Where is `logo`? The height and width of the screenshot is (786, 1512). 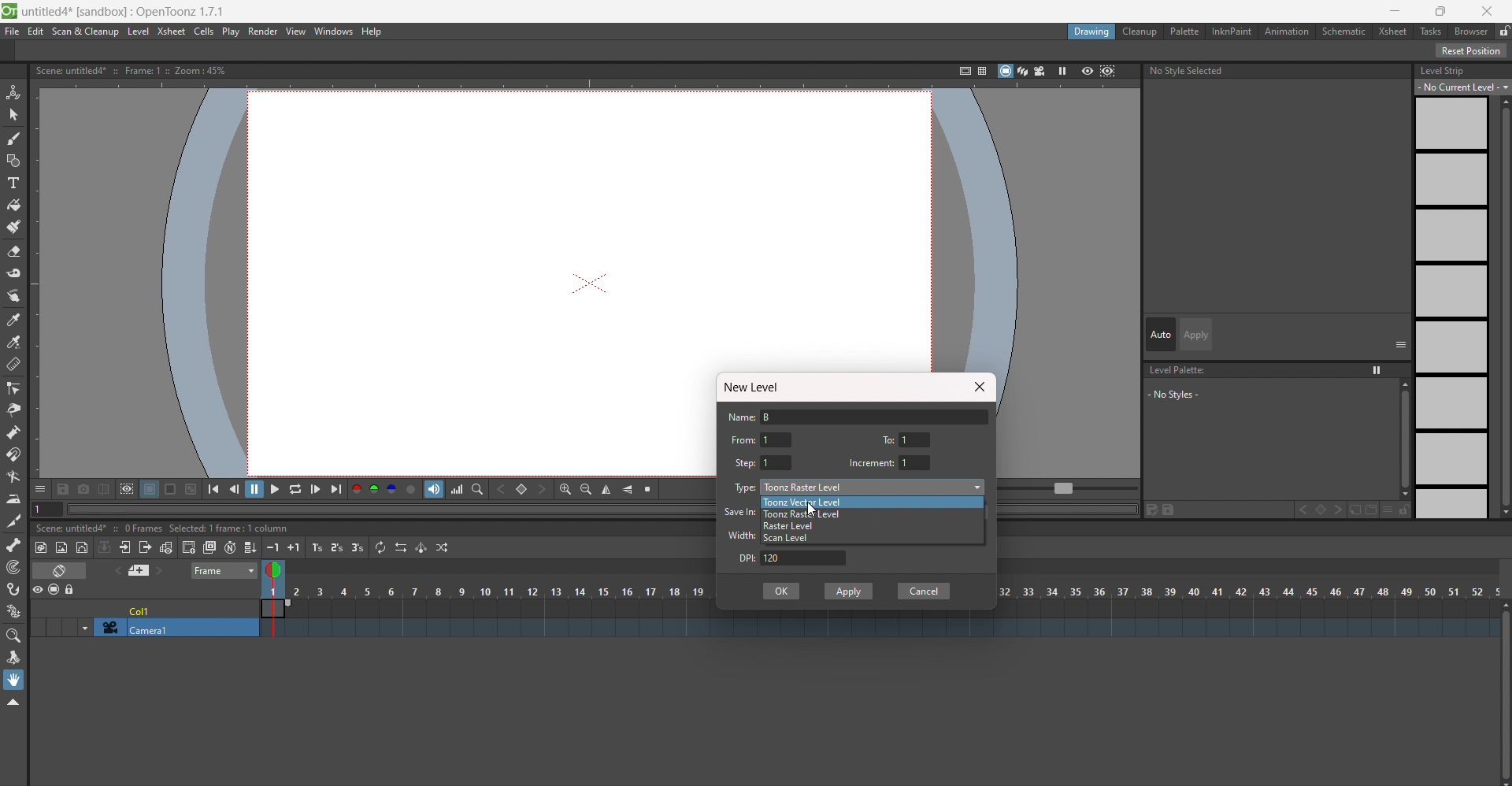
logo is located at coordinates (9, 12).